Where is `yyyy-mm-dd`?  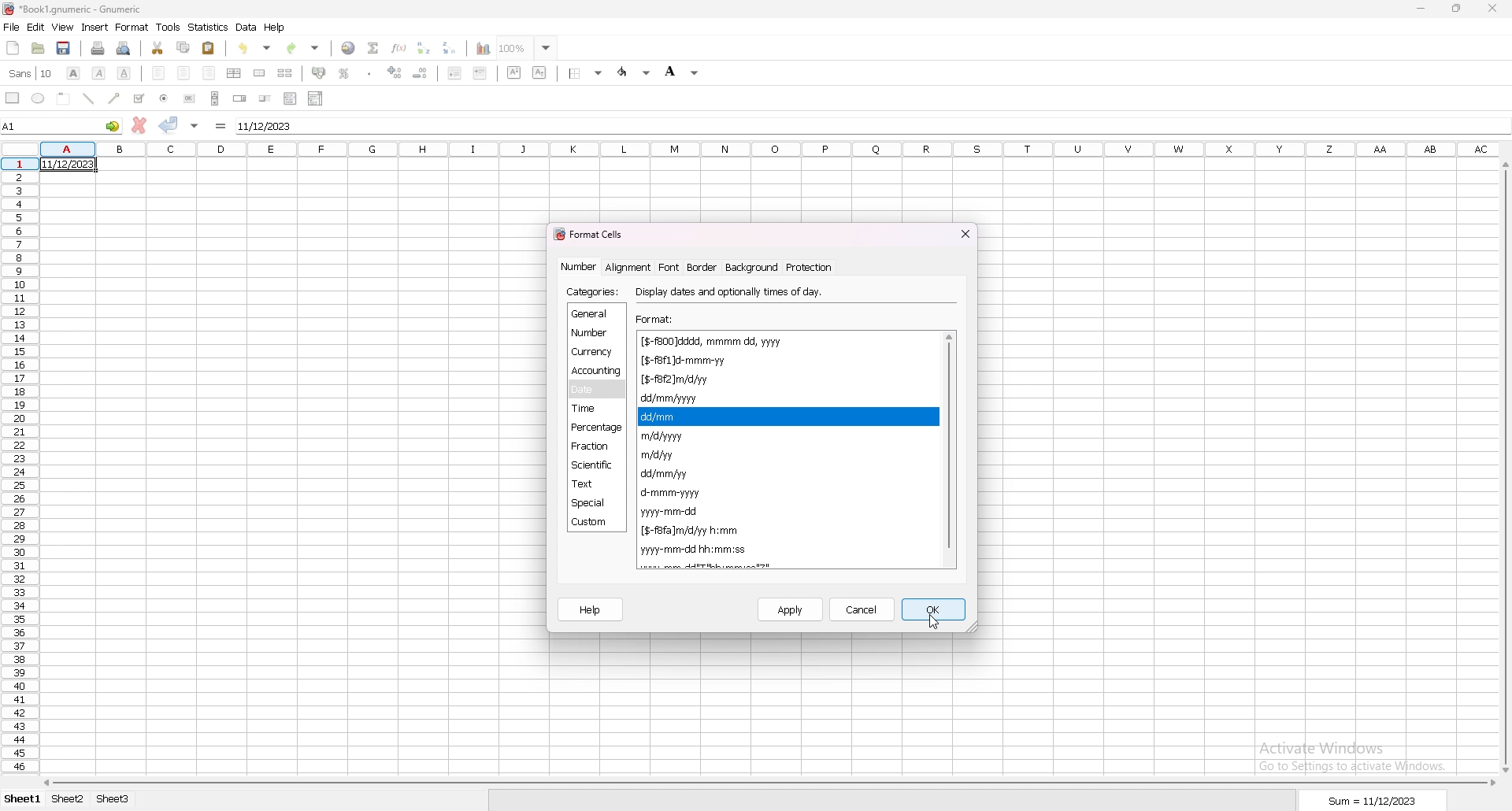
yyyy-mm-dd is located at coordinates (674, 511).